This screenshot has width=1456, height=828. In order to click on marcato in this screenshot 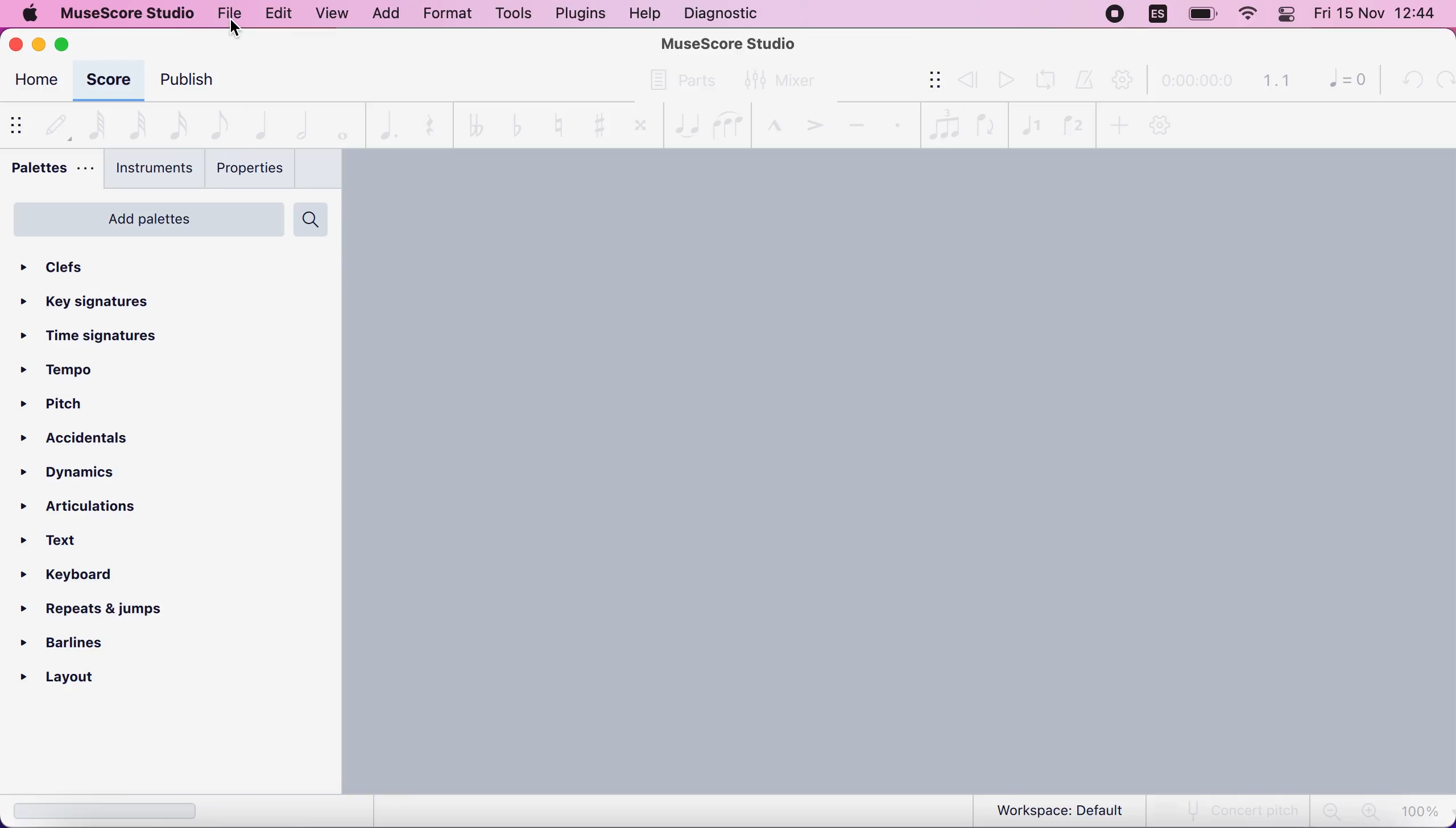, I will do `click(772, 121)`.